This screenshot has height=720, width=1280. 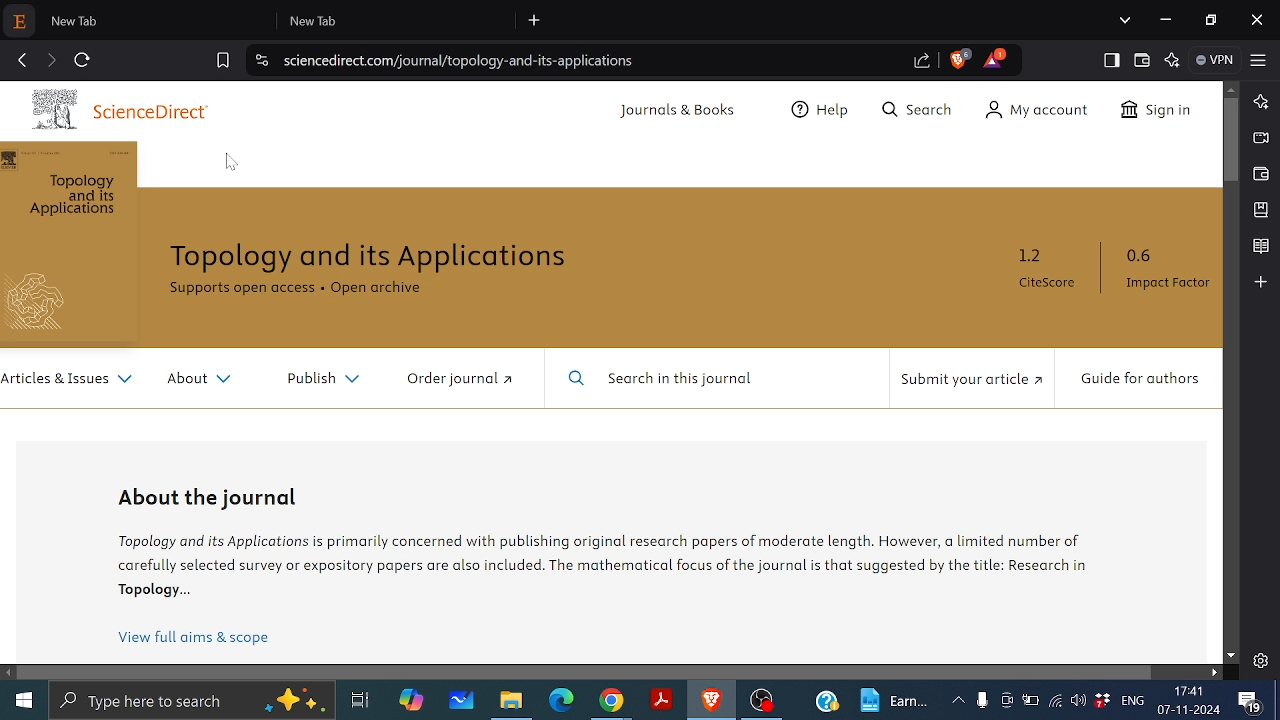 I want to click on L, so click(x=1260, y=102).